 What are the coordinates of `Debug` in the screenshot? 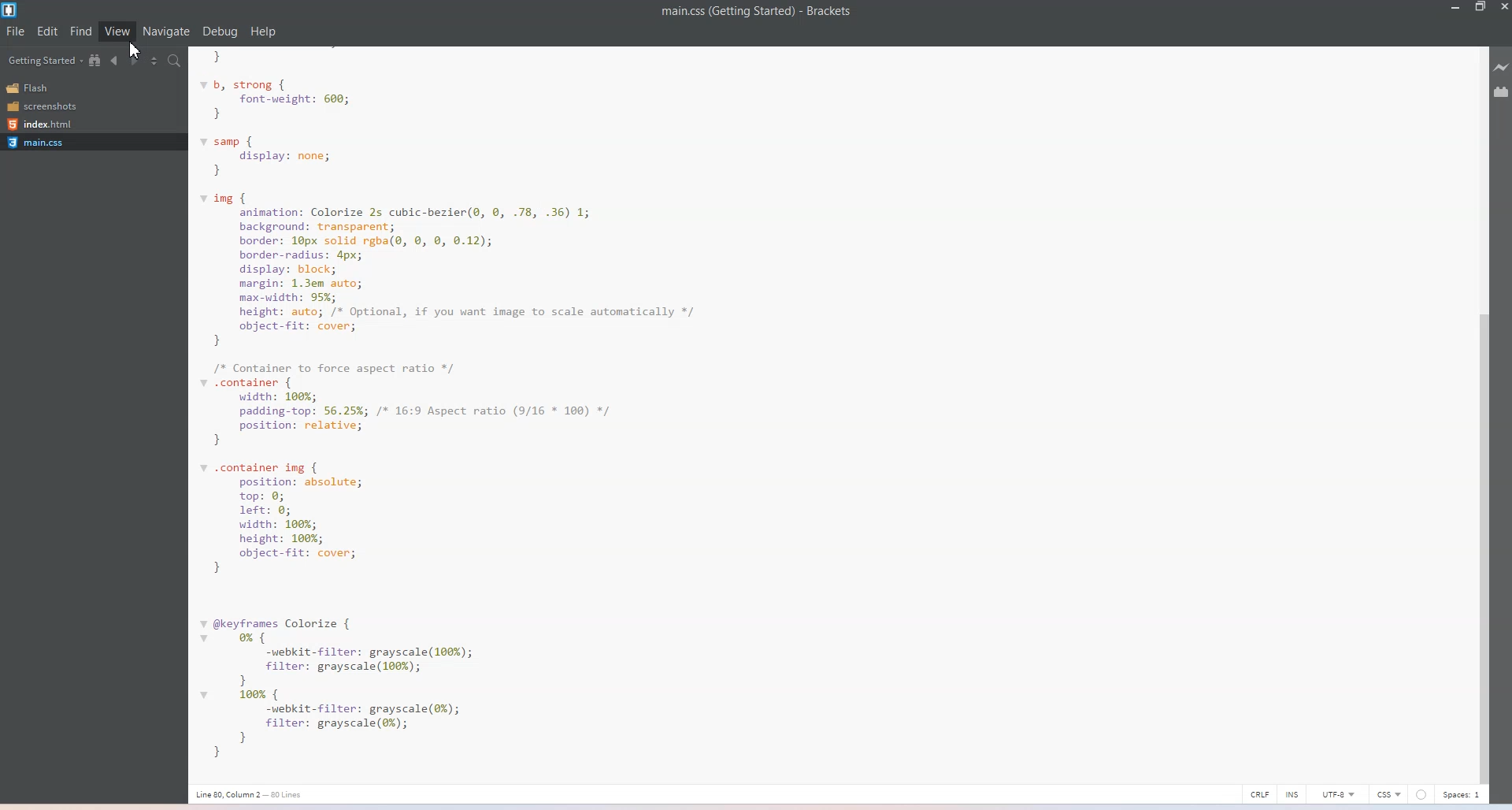 It's located at (220, 32).